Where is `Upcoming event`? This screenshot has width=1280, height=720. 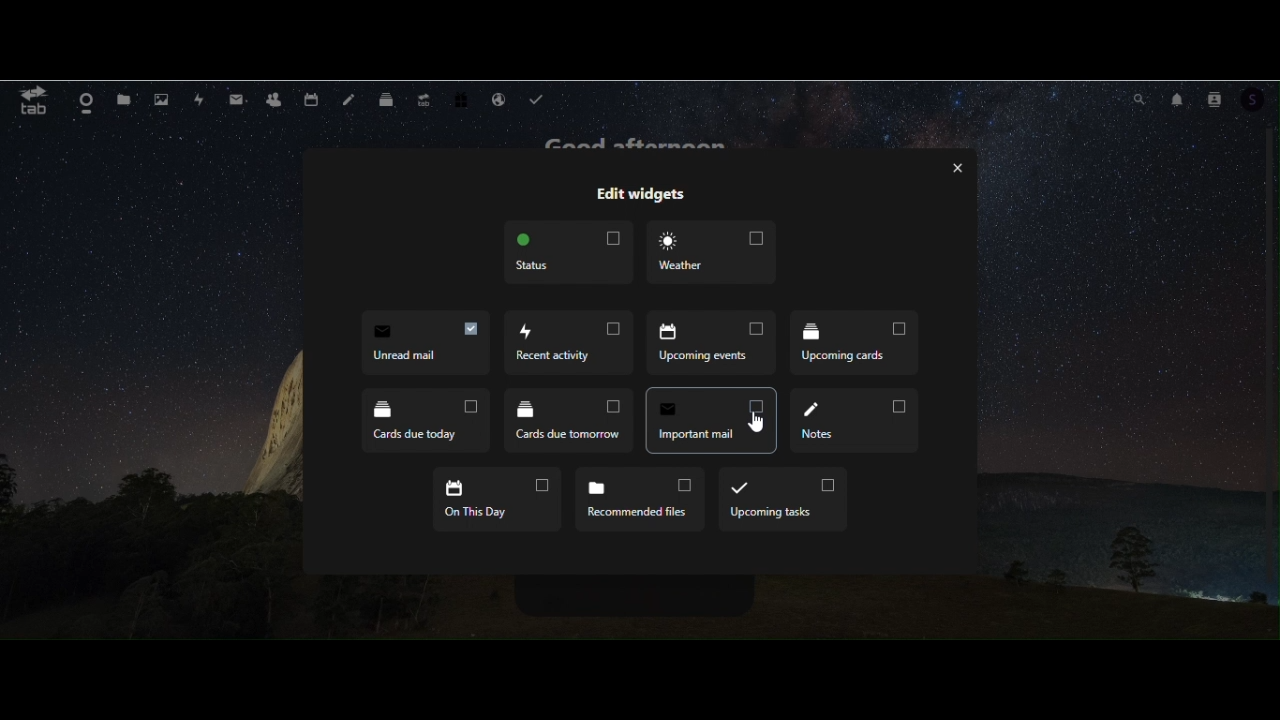
Upcoming event is located at coordinates (568, 342).